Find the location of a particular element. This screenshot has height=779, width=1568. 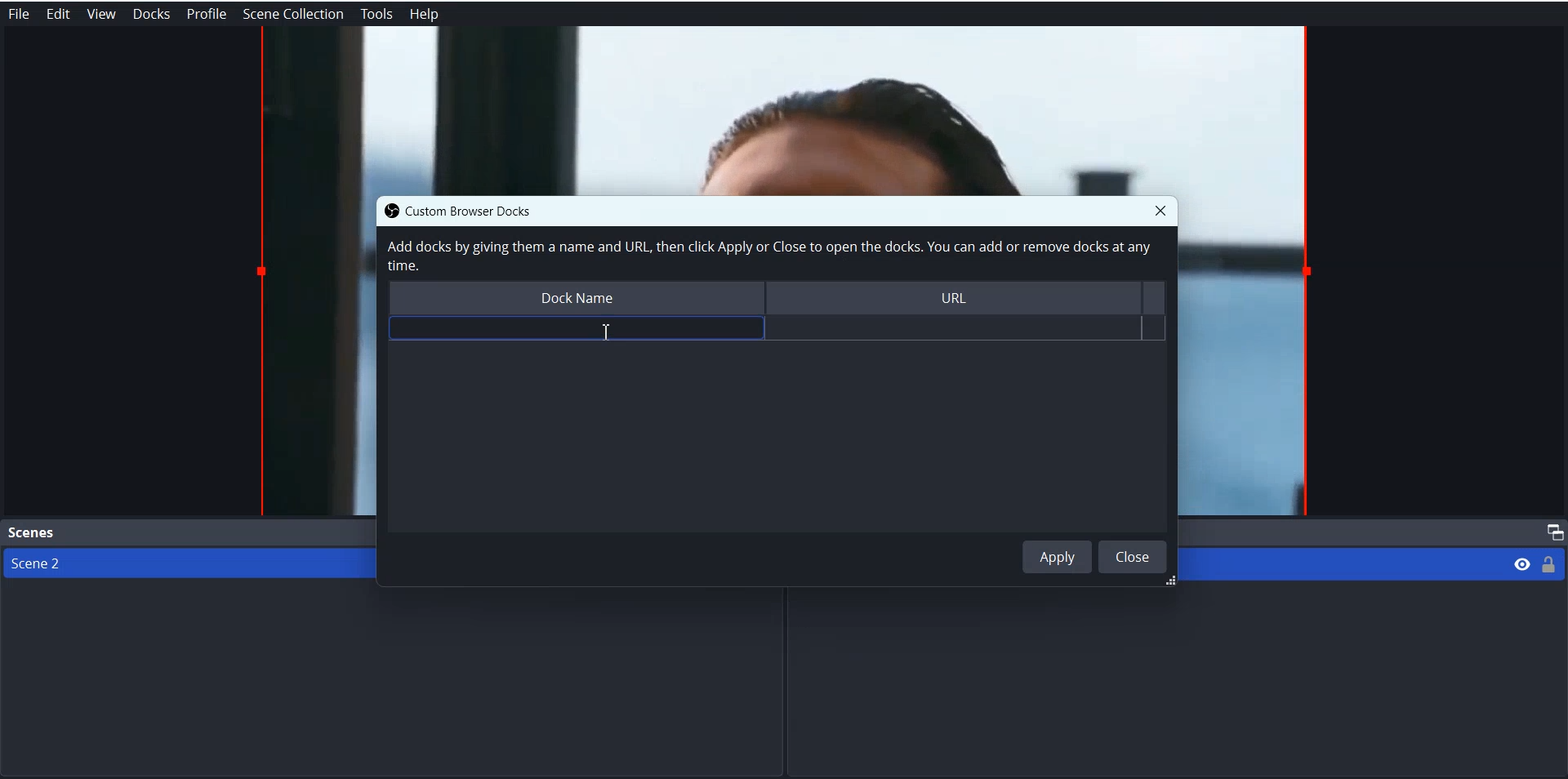

Lock/ Unlock is located at coordinates (1549, 563).